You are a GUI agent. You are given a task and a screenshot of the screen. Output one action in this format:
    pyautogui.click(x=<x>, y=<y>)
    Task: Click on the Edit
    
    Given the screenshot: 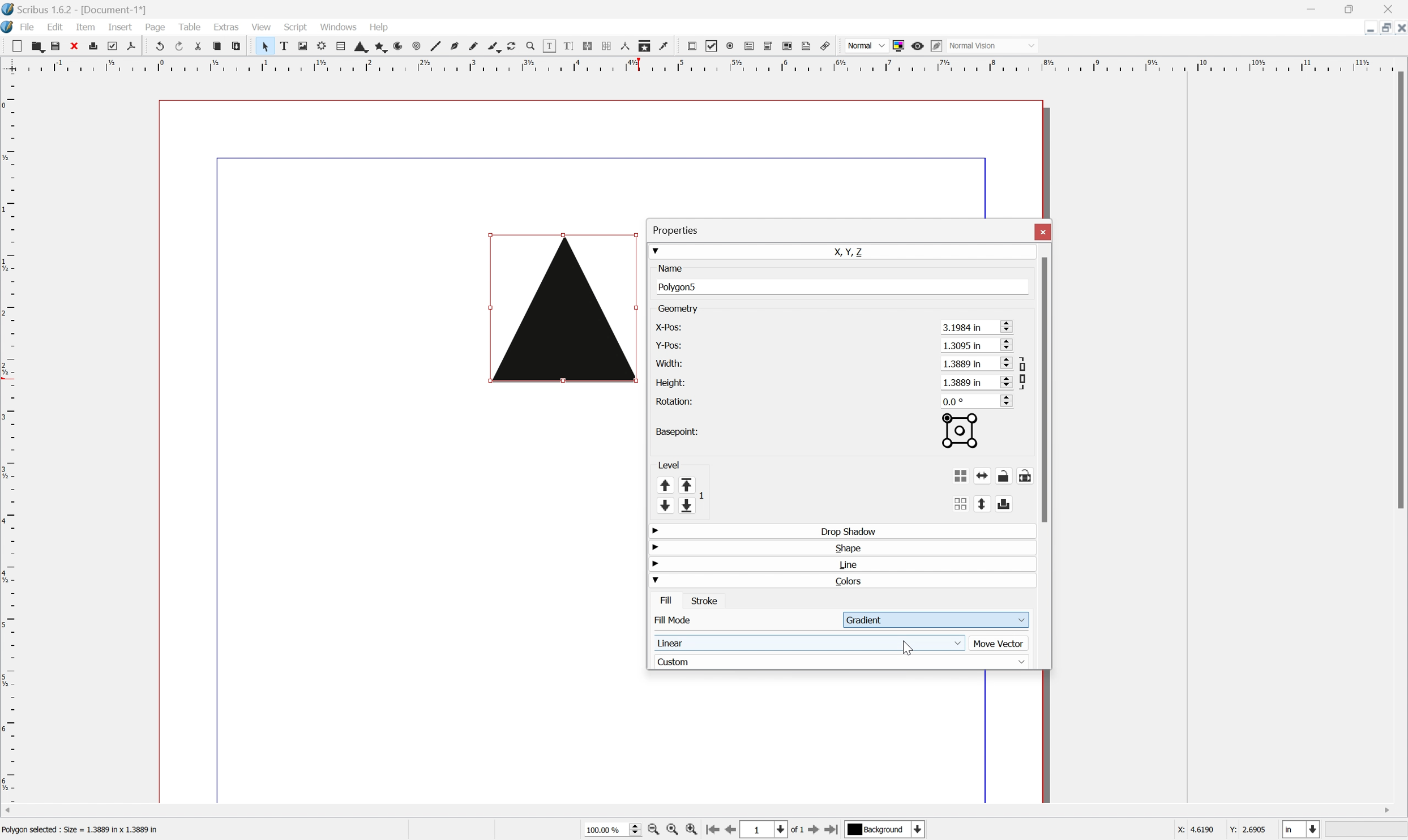 What is the action you would take?
    pyautogui.click(x=57, y=27)
    